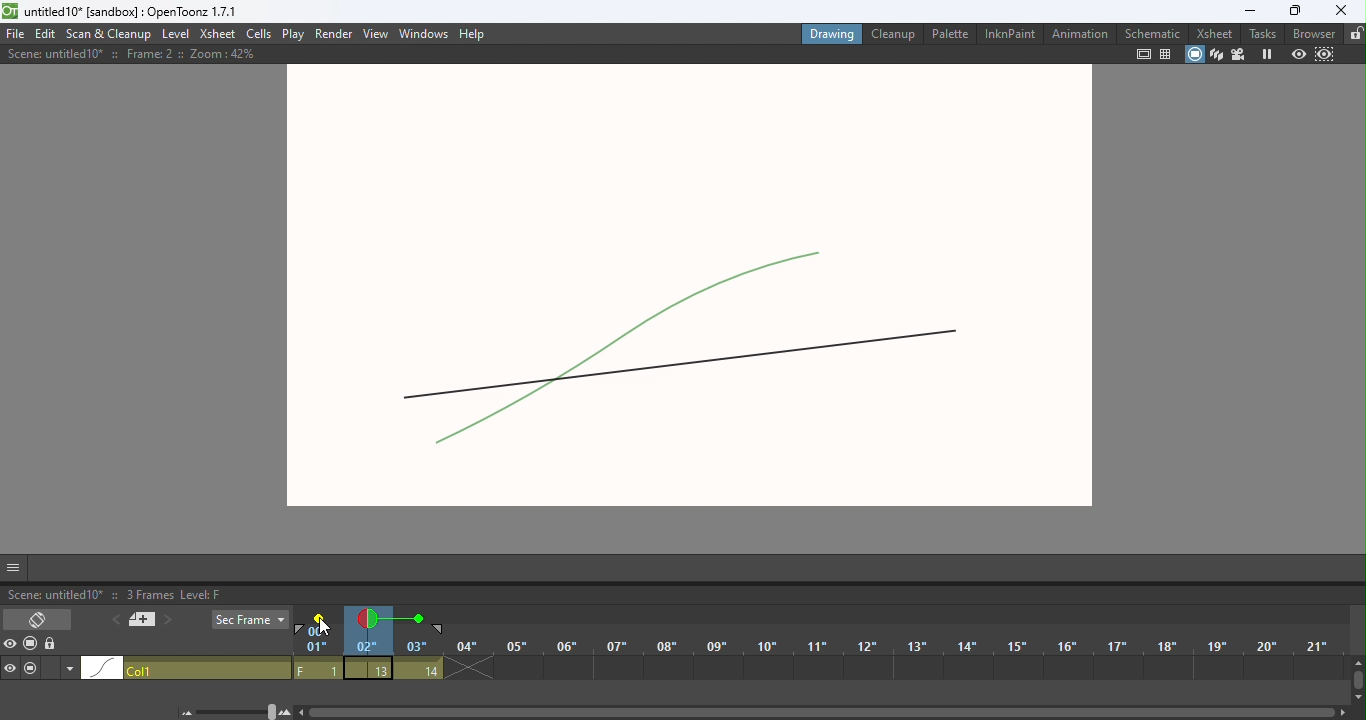 This screenshot has width=1366, height=720. Describe the element at coordinates (13, 568) in the screenshot. I see `GUI show/hide` at that location.